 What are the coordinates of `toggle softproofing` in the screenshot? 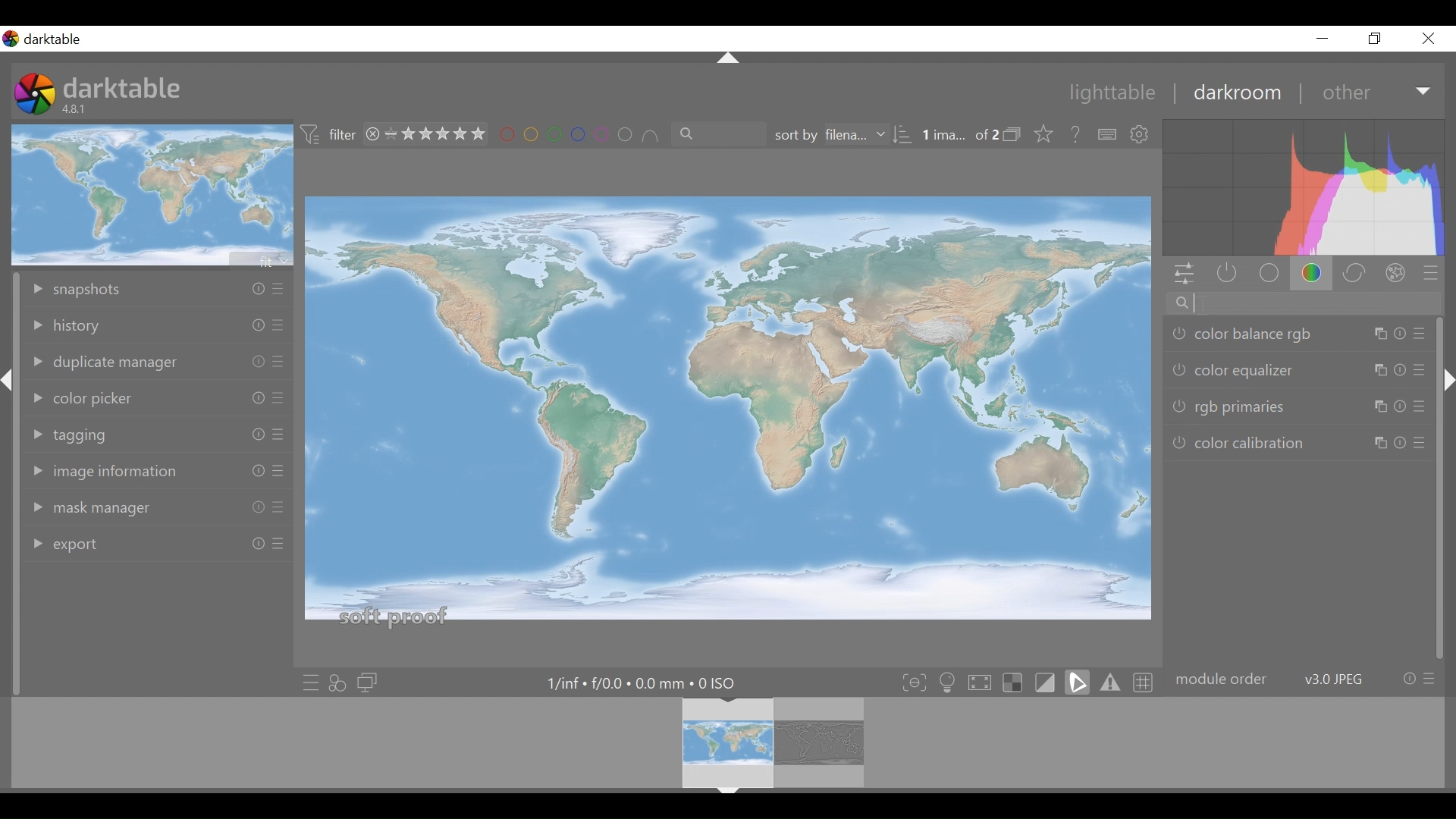 It's located at (1079, 682).